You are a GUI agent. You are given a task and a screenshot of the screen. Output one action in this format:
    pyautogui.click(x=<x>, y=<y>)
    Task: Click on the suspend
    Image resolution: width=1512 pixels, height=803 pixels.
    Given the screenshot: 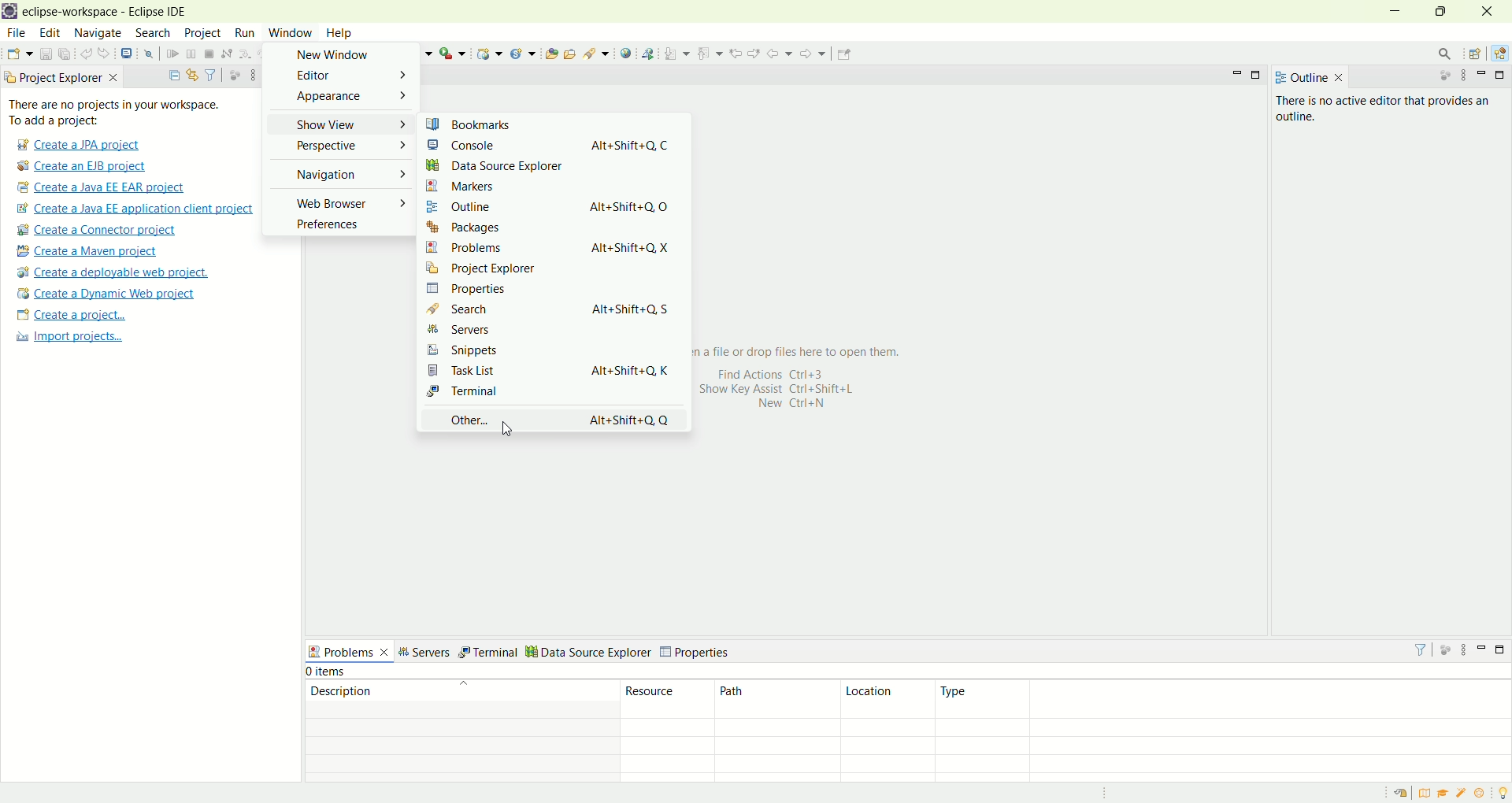 What is the action you would take?
    pyautogui.click(x=192, y=53)
    